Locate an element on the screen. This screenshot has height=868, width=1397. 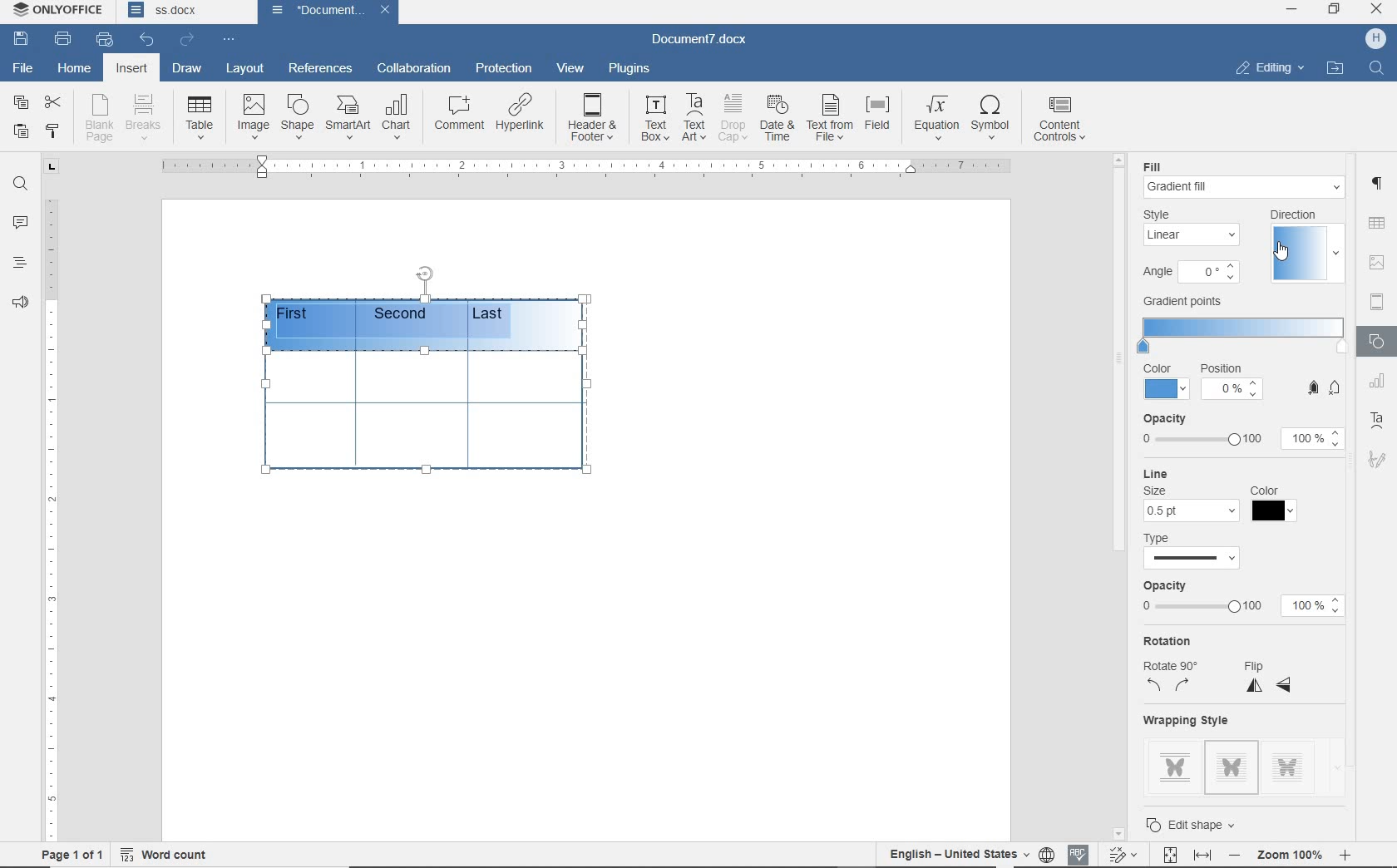
view is located at coordinates (571, 69).